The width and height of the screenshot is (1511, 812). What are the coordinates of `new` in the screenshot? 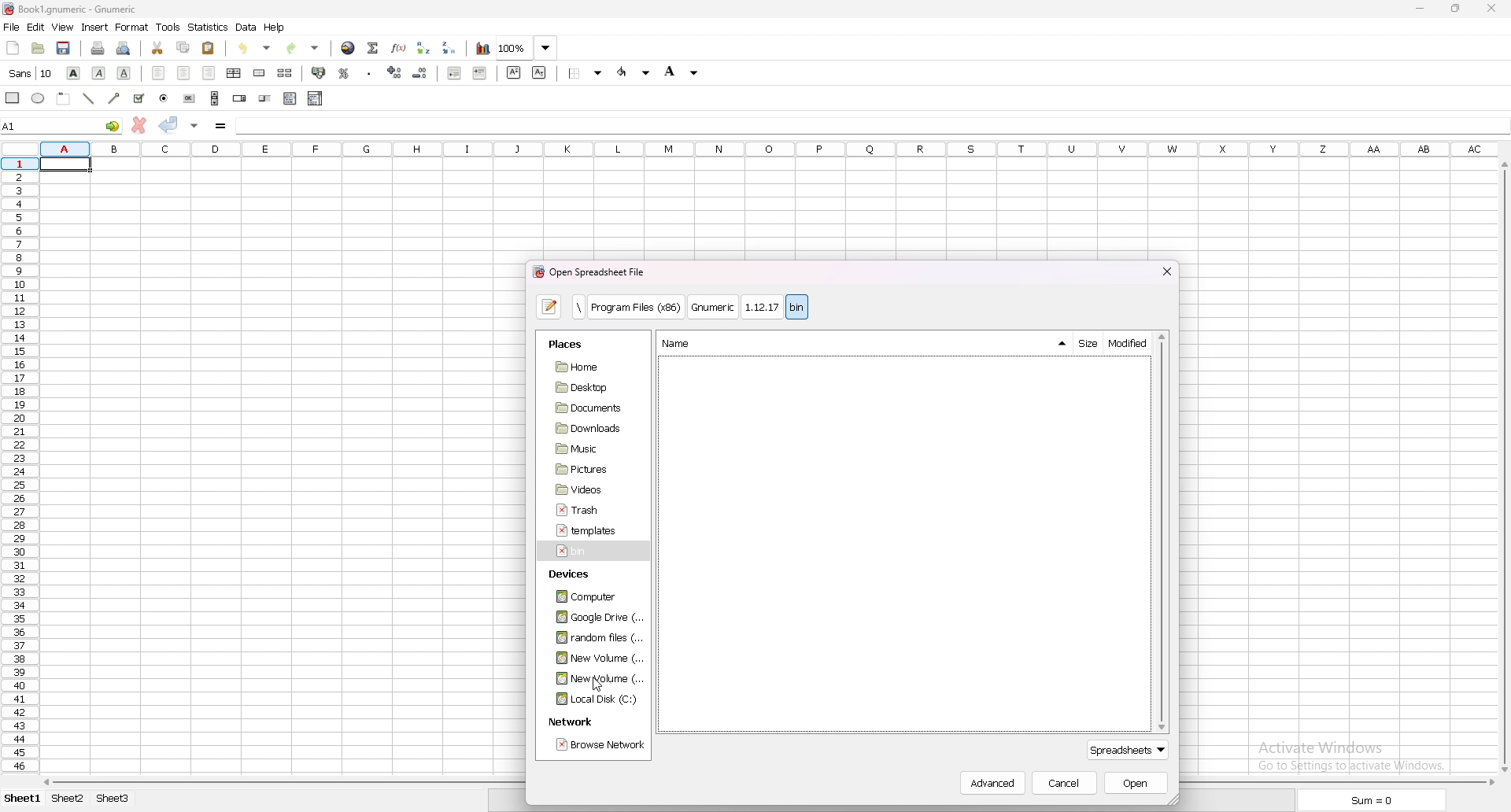 It's located at (13, 46).